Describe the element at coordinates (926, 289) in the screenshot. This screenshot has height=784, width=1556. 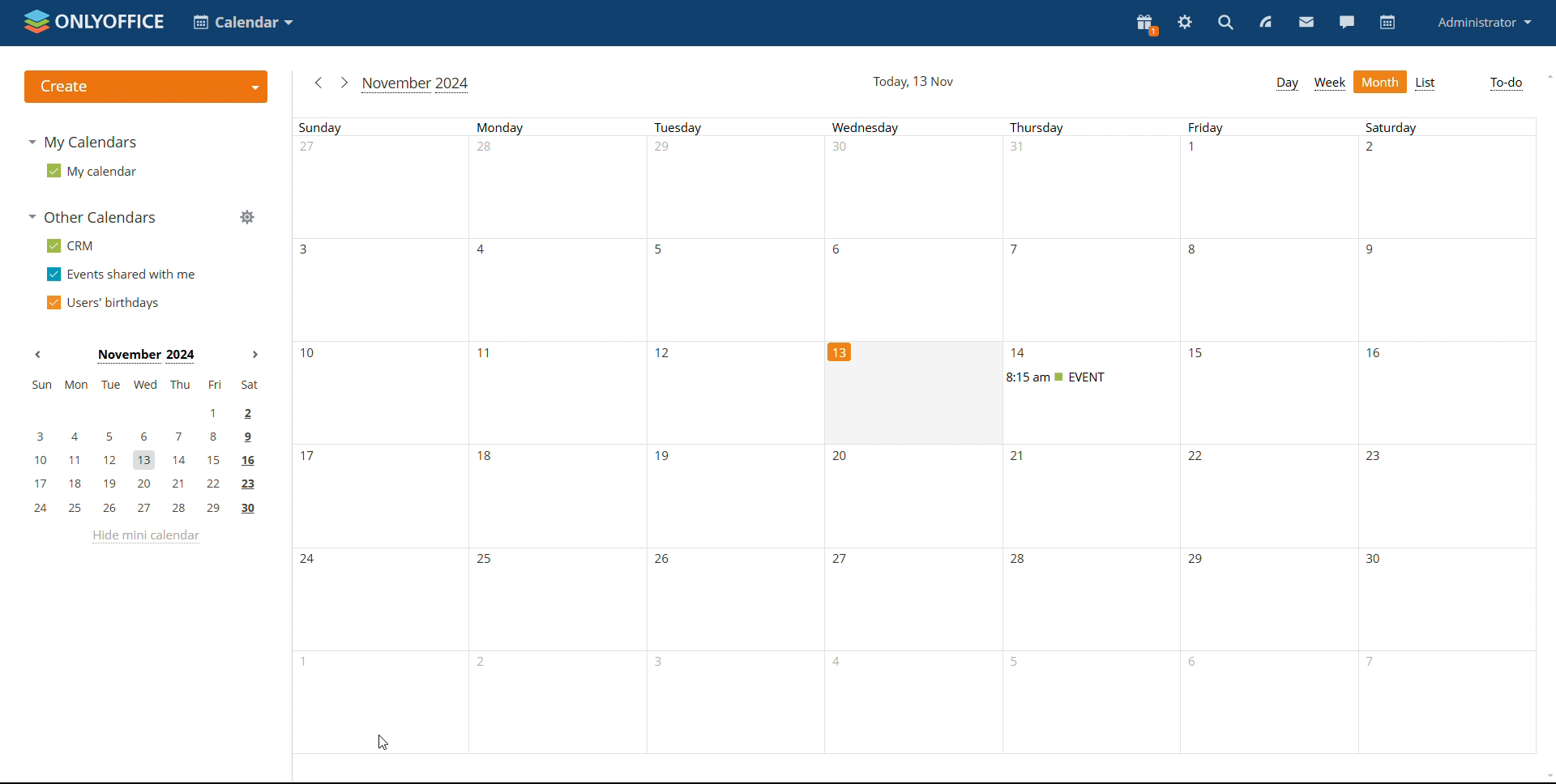
I see `dates of the month` at that location.